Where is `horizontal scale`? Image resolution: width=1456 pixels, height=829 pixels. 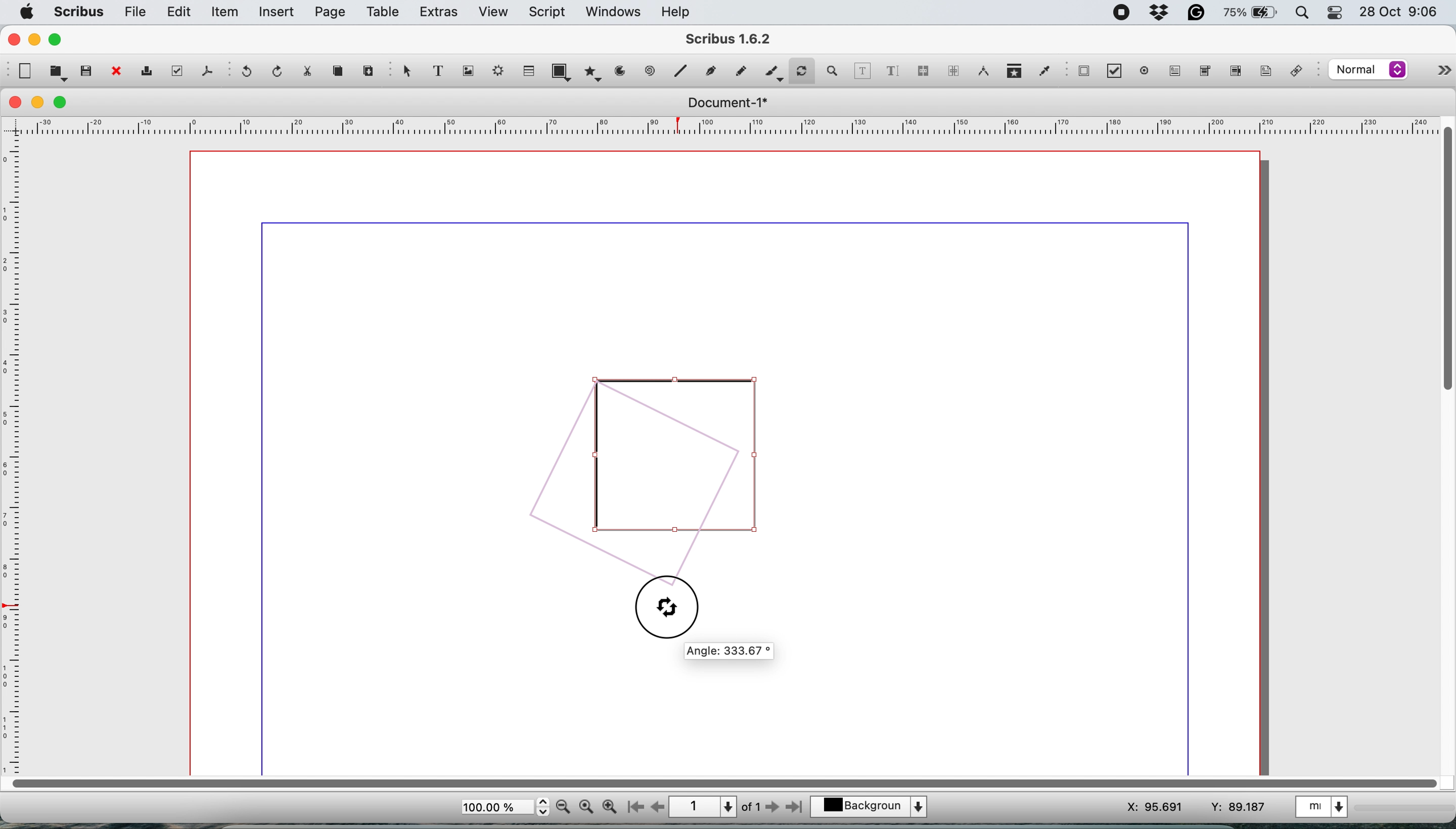
horizontal scale is located at coordinates (720, 125).